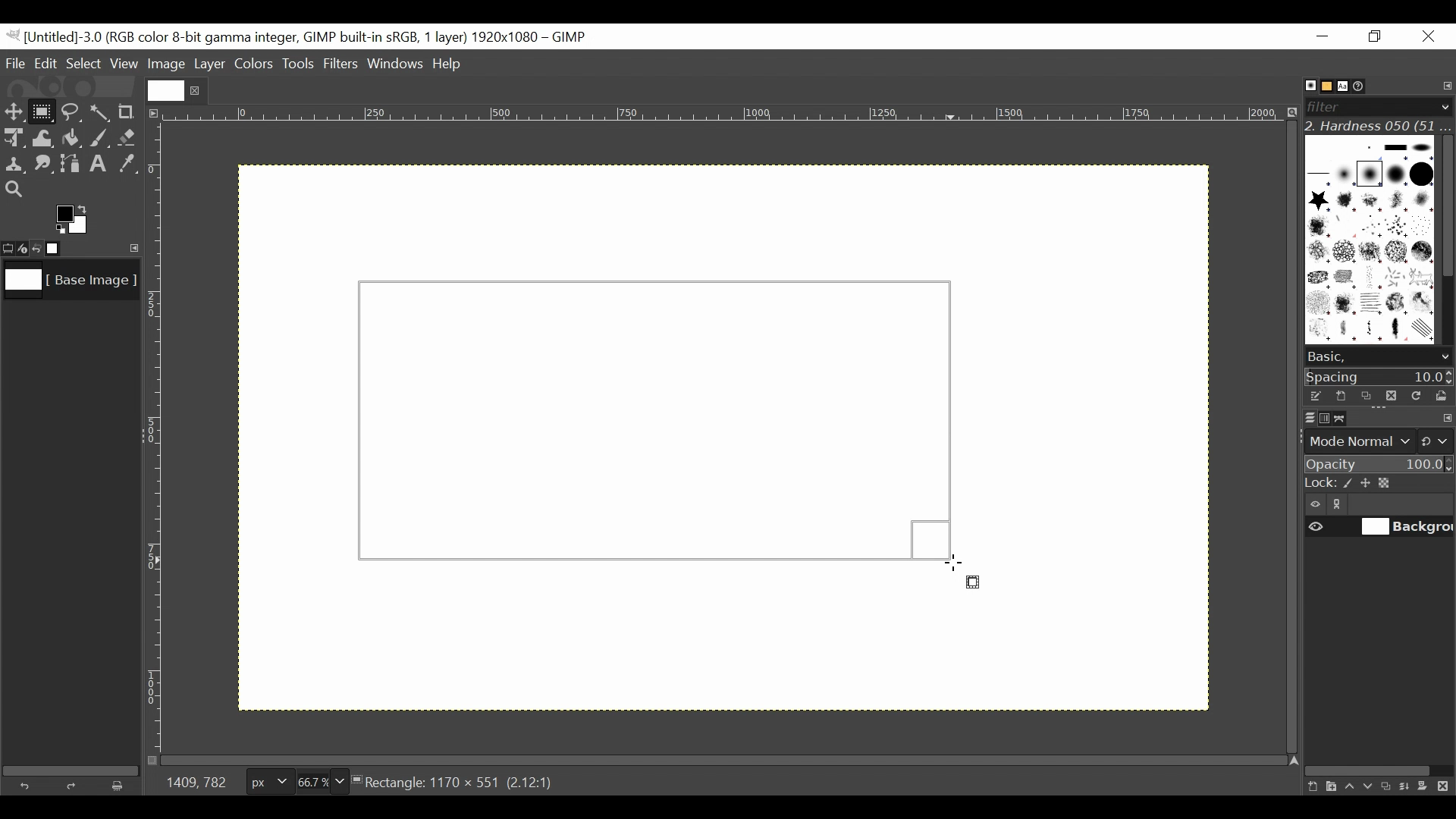 This screenshot has width=1456, height=819. I want to click on View, so click(124, 64).